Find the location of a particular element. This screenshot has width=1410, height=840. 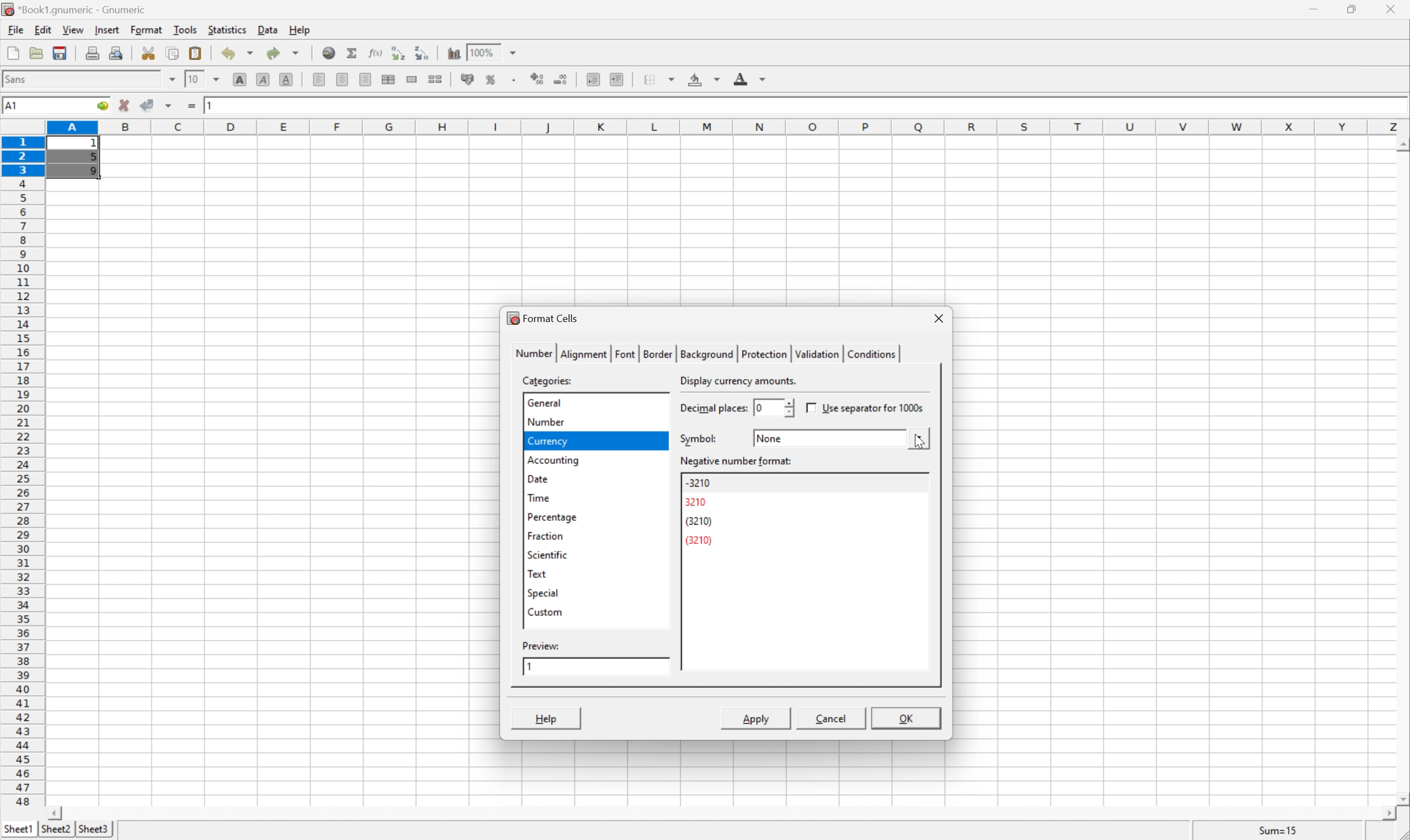

column names is located at coordinates (730, 128).